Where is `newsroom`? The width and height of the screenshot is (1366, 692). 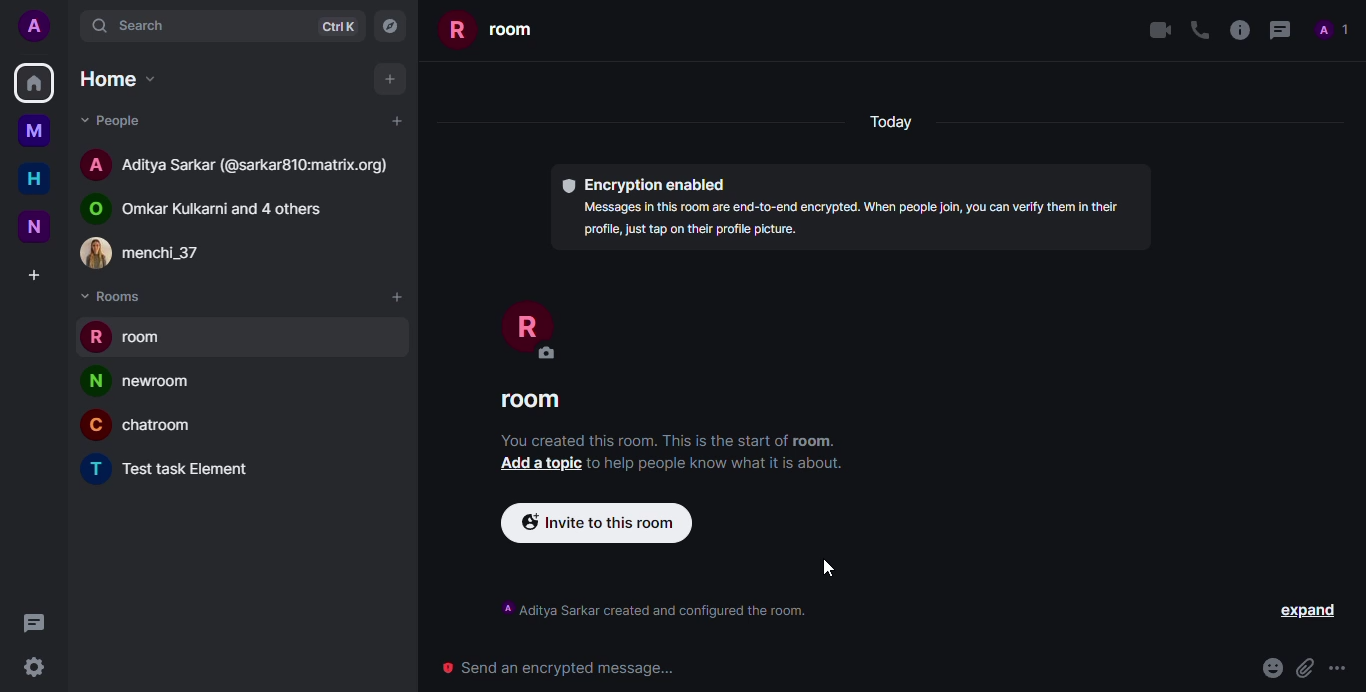
newsroom is located at coordinates (150, 380).